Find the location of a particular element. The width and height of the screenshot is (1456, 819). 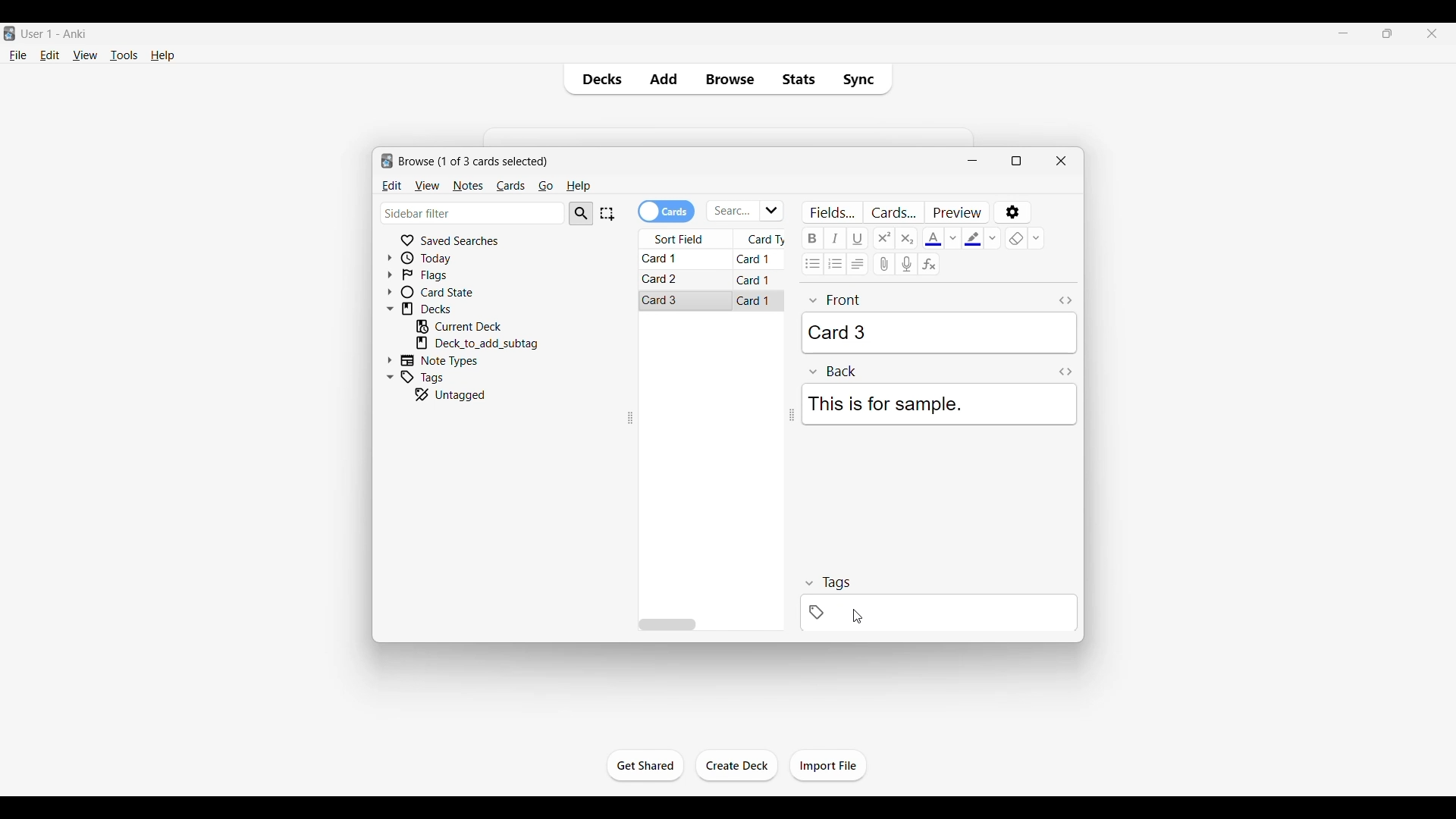

Close interface is located at coordinates (1432, 33).